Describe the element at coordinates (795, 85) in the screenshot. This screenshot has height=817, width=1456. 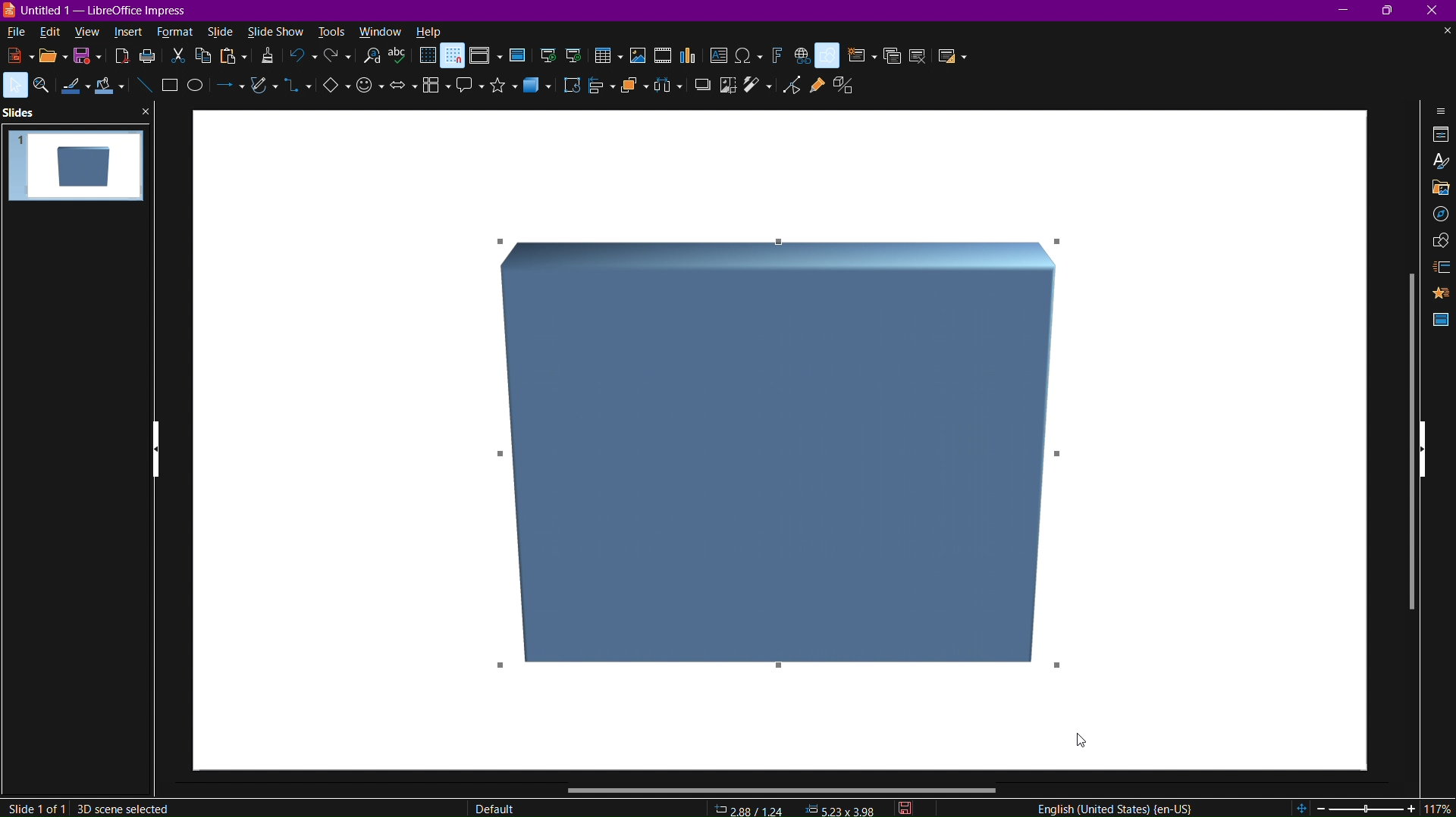
I see `Toggle Point Edit Mode` at that location.